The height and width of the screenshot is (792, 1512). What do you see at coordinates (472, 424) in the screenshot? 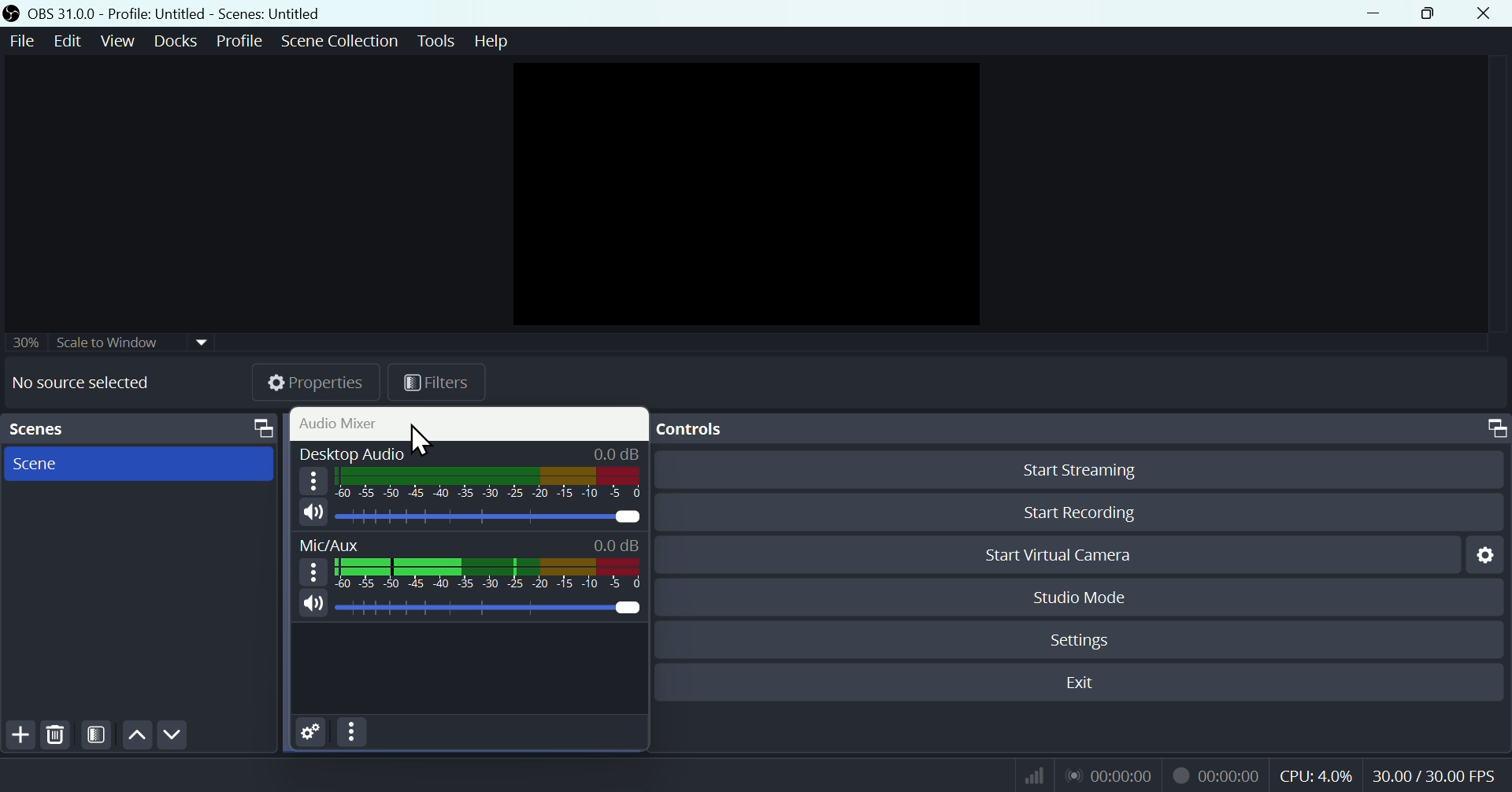
I see `Audio mixer` at bounding box center [472, 424].